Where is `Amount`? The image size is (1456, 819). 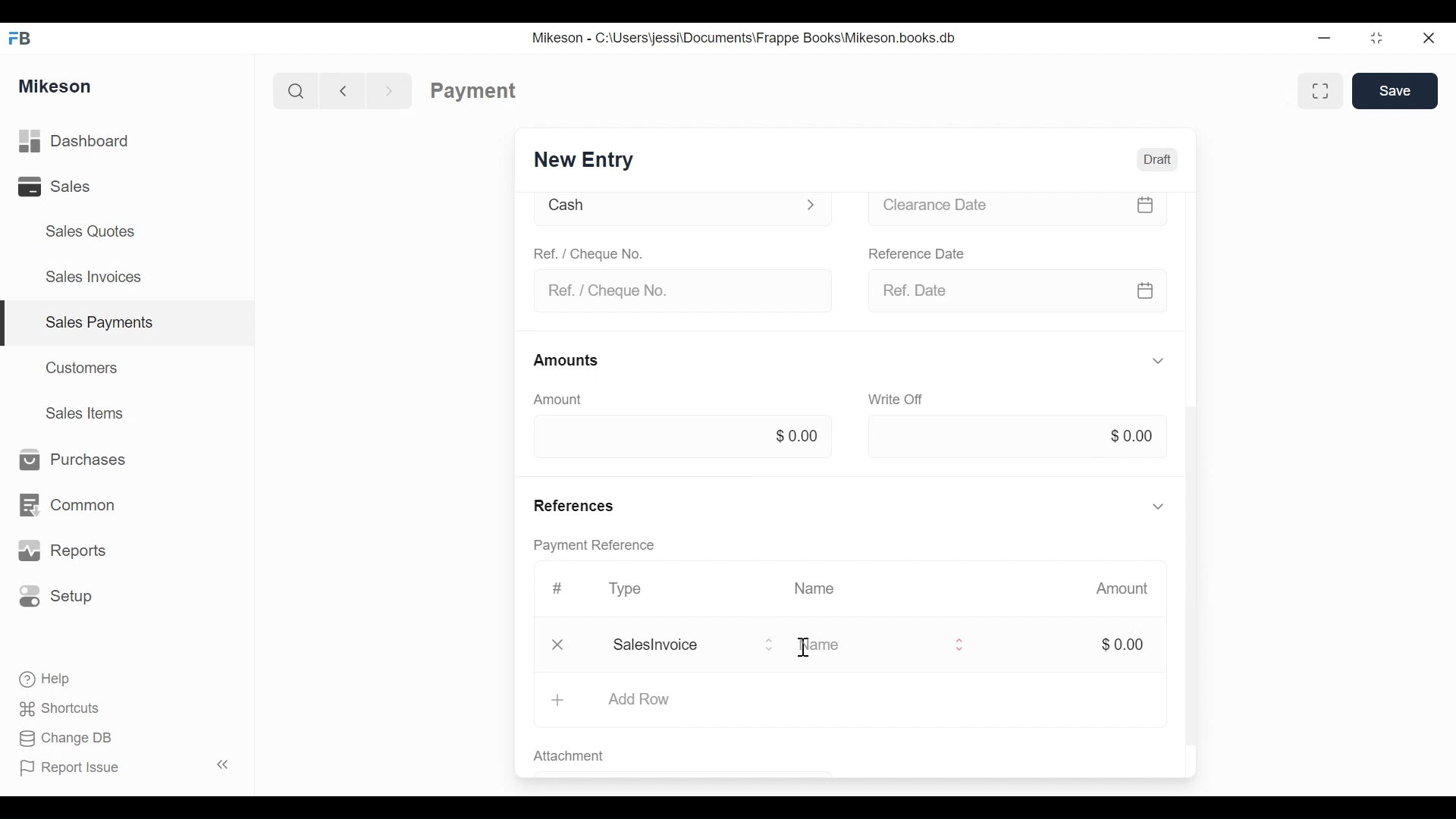
Amount is located at coordinates (555, 400).